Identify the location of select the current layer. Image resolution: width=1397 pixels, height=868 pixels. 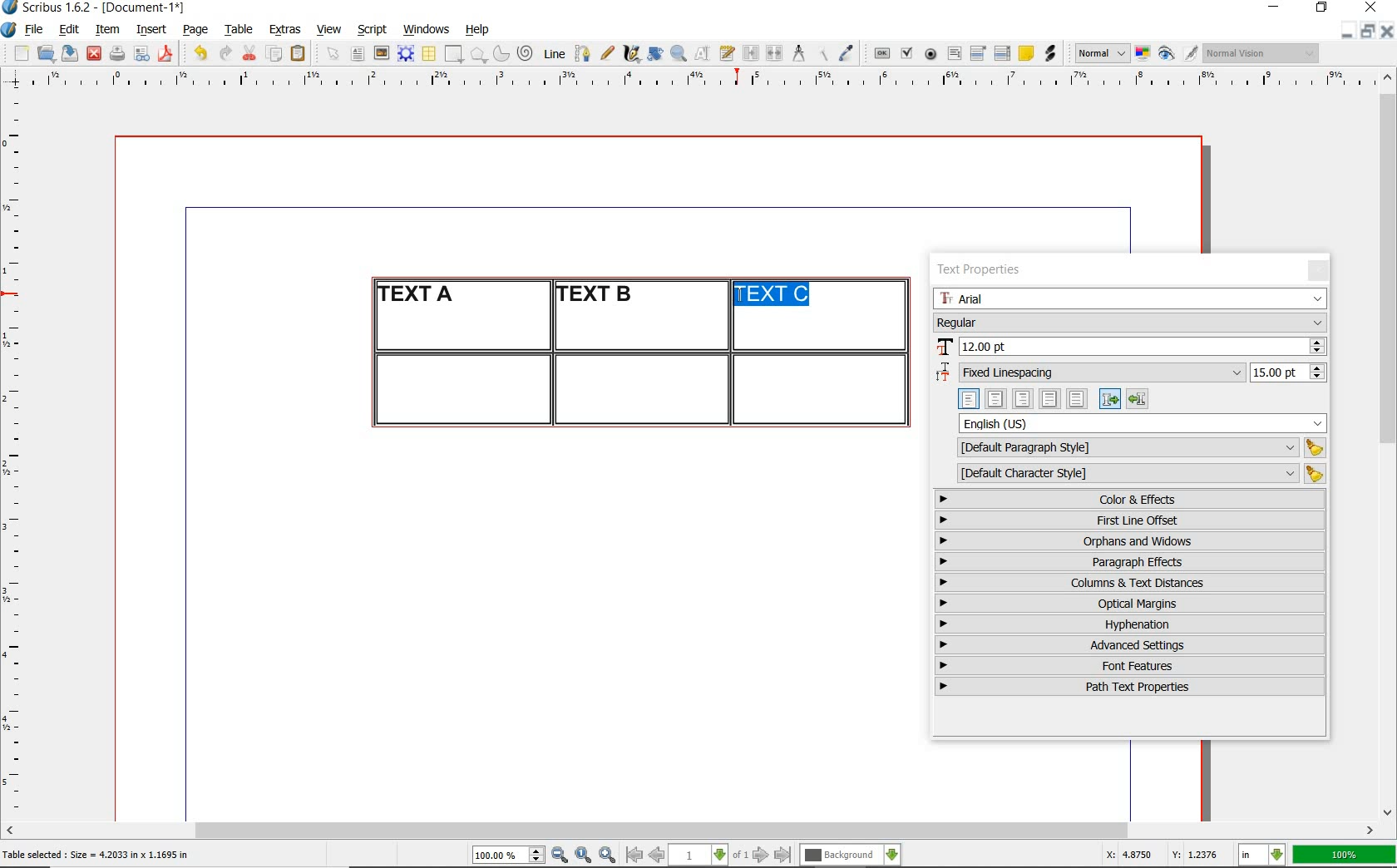
(851, 856).